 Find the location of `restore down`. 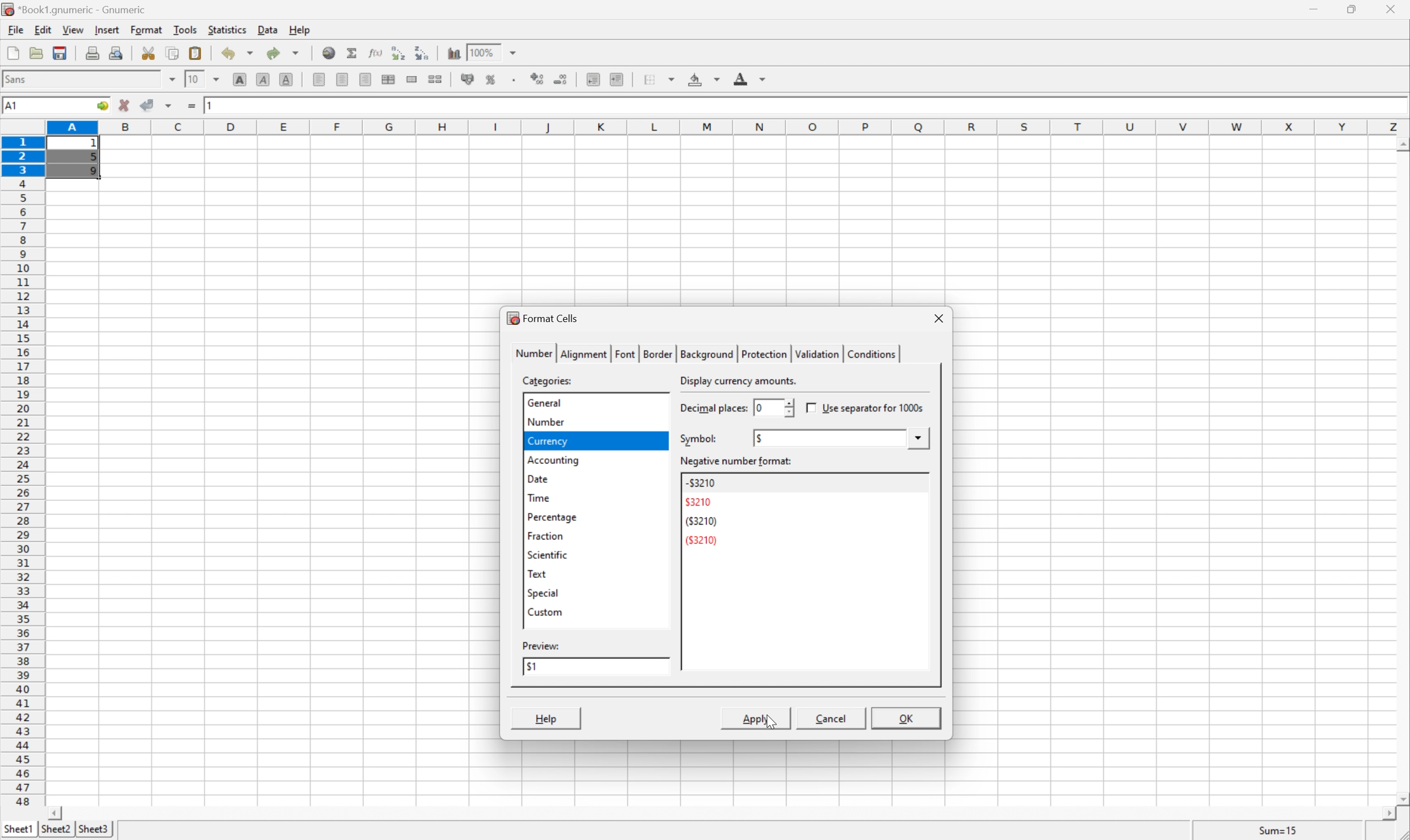

restore down is located at coordinates (1353, 9).